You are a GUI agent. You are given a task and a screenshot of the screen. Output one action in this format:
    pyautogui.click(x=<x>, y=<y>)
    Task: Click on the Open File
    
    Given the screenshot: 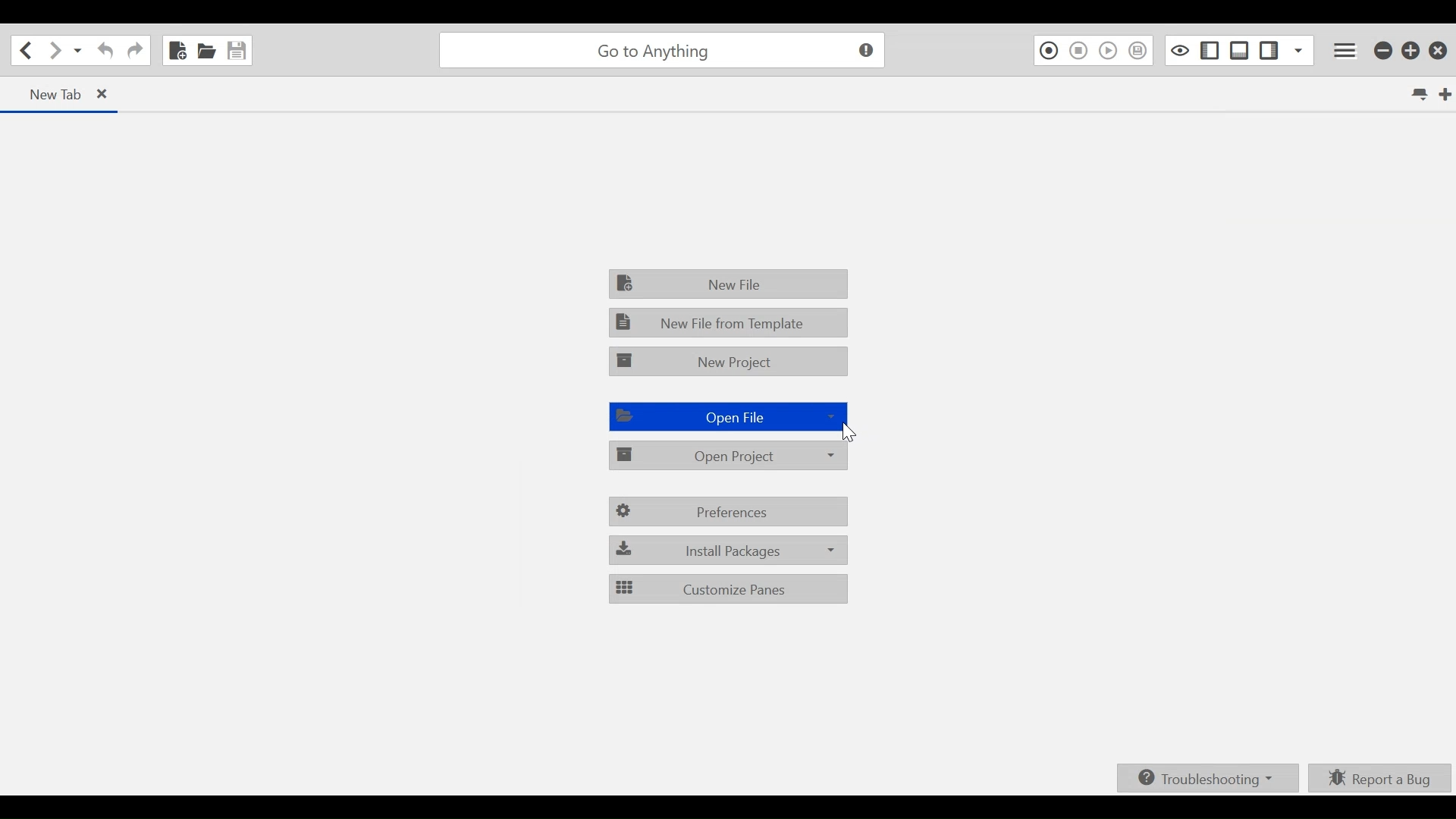 What is the action you would take?
    pyautogui.click(x=206, y=49)
    